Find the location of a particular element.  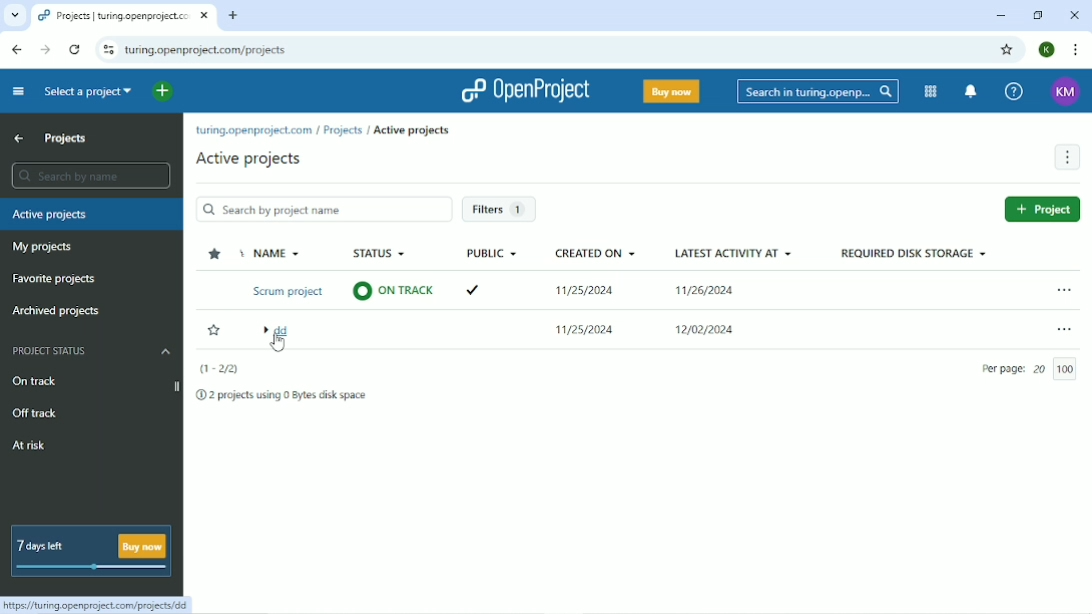

Search by name is located at coordinates (89, 176).